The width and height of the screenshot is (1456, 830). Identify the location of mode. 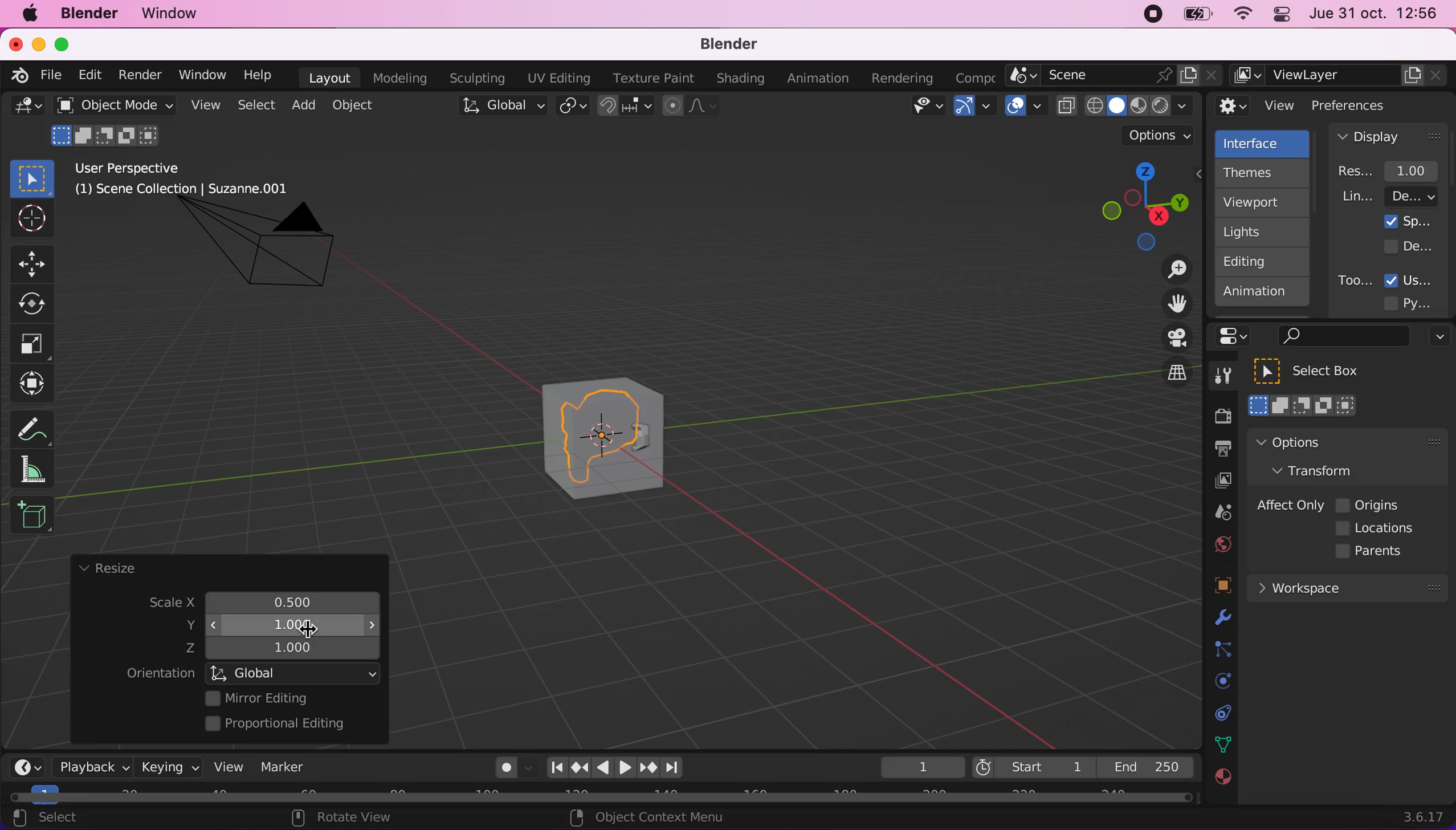
(108, 134).